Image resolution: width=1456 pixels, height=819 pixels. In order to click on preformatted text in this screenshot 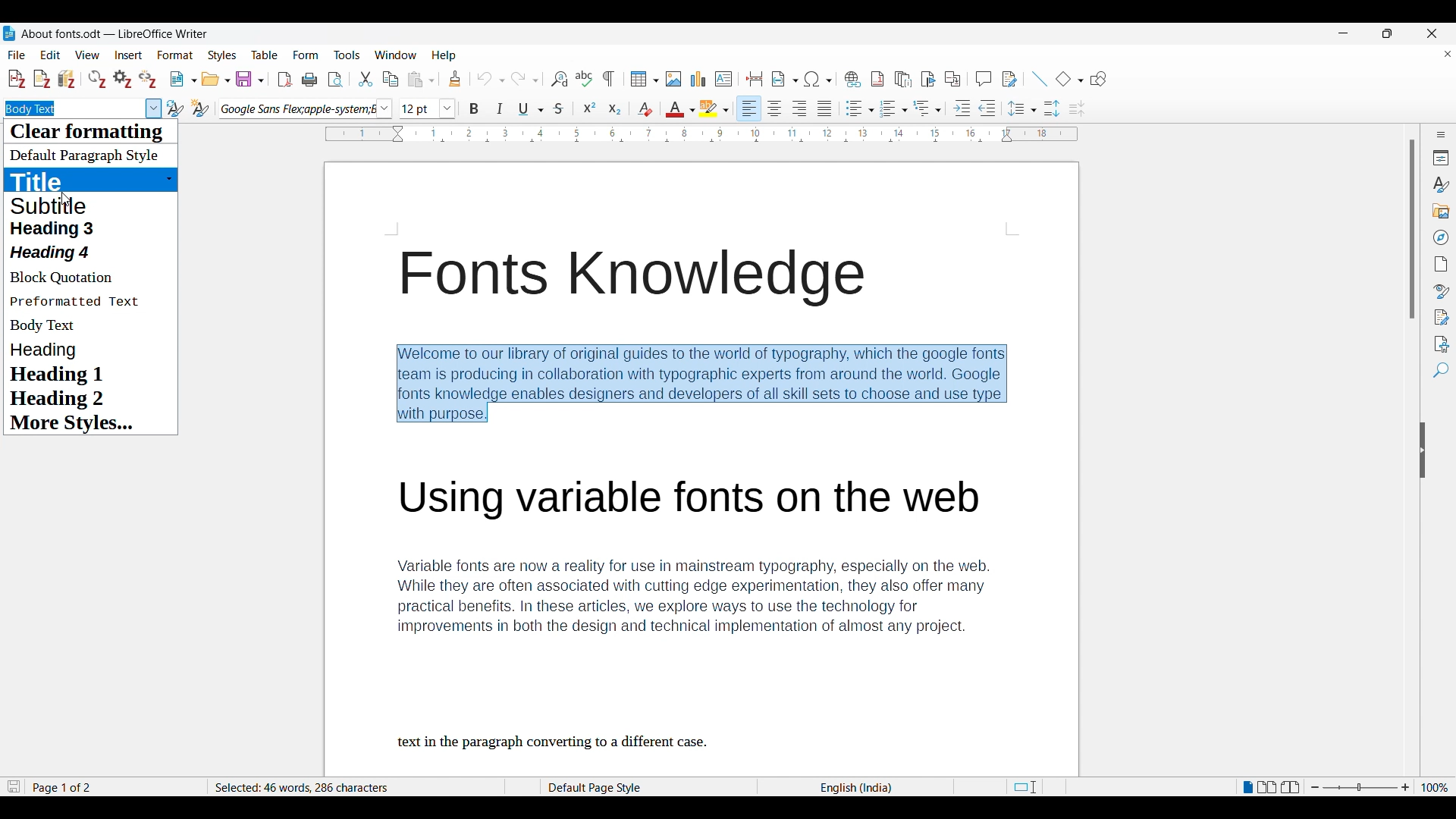, I will do `click(78, 301)`.